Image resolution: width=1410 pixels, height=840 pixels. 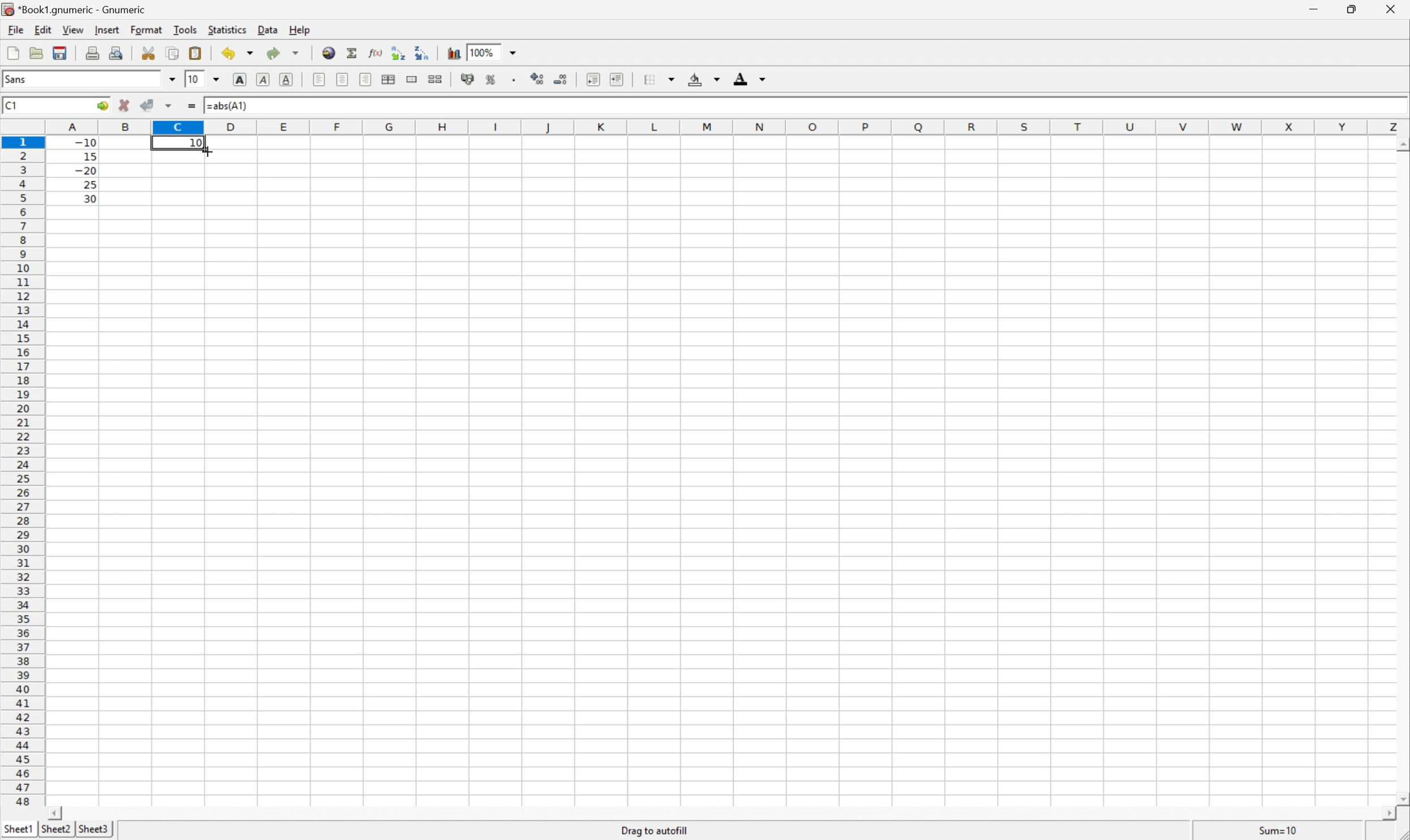 What do you see at coordinates (95, 52) in the screenshot?
I see `Print the current File` at bounding box center [95, 52].